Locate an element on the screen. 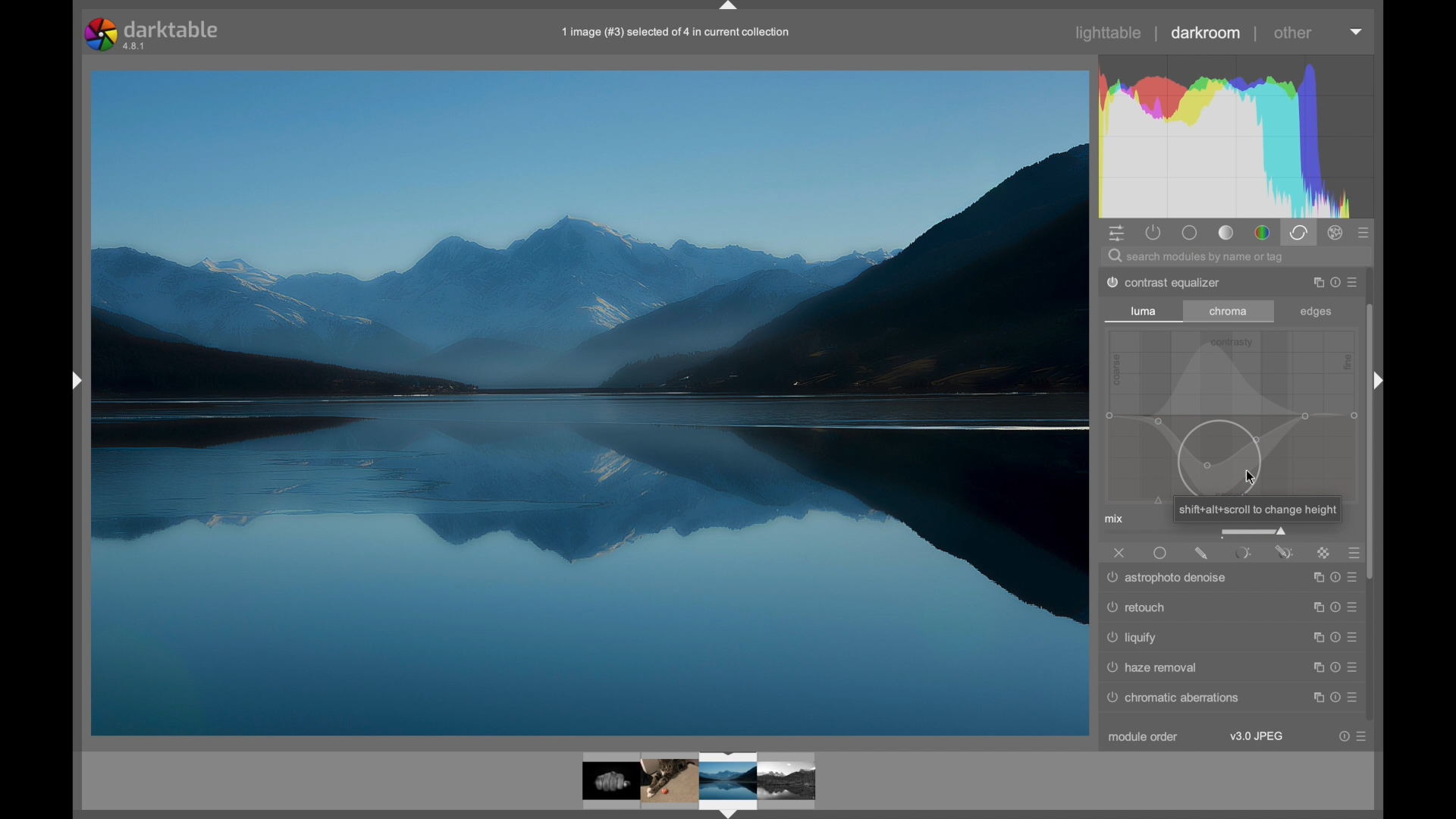  color is located at coordinates (1262, 232).